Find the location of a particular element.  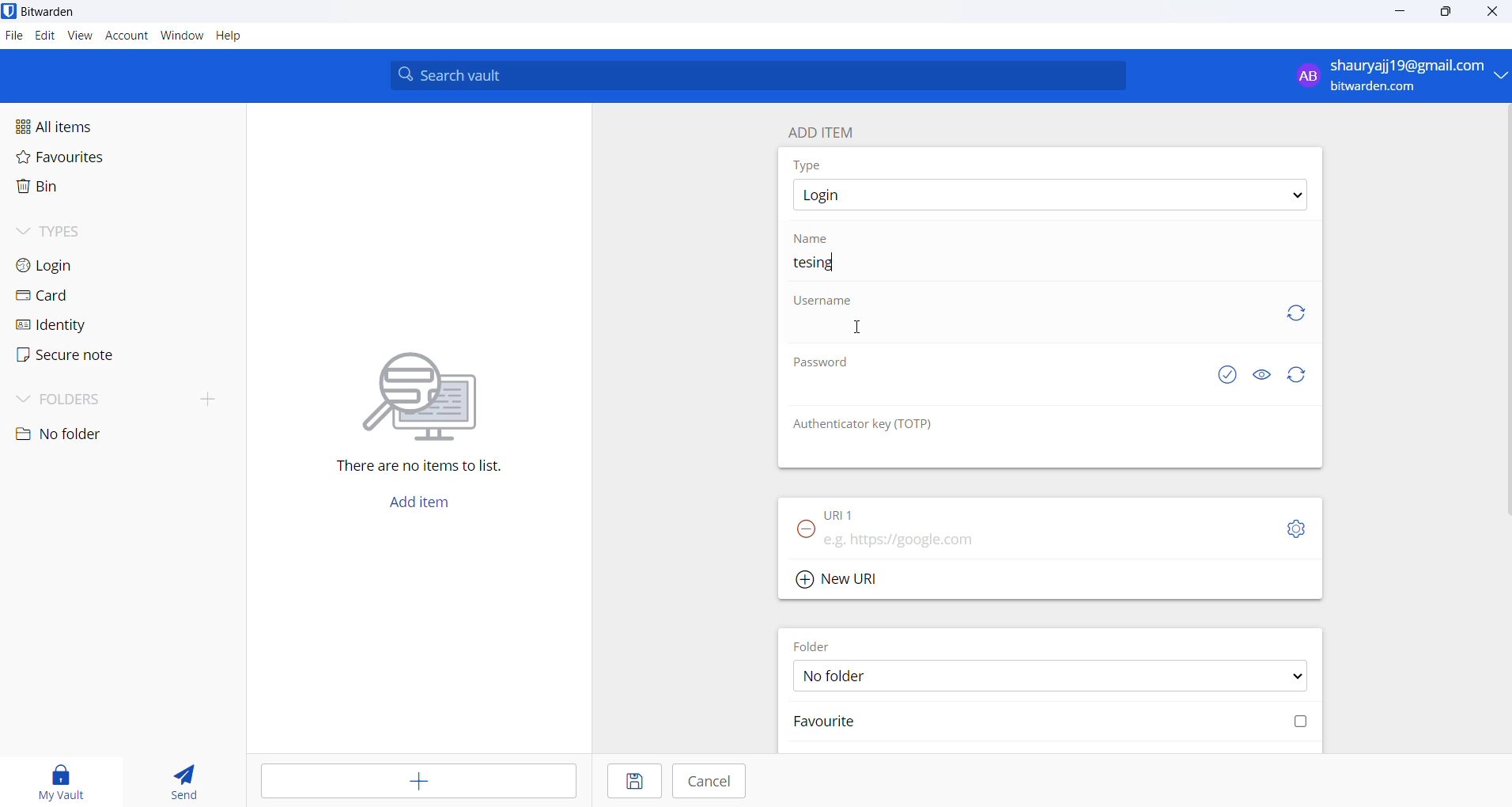

Folder is located at coordinates (818, 643).